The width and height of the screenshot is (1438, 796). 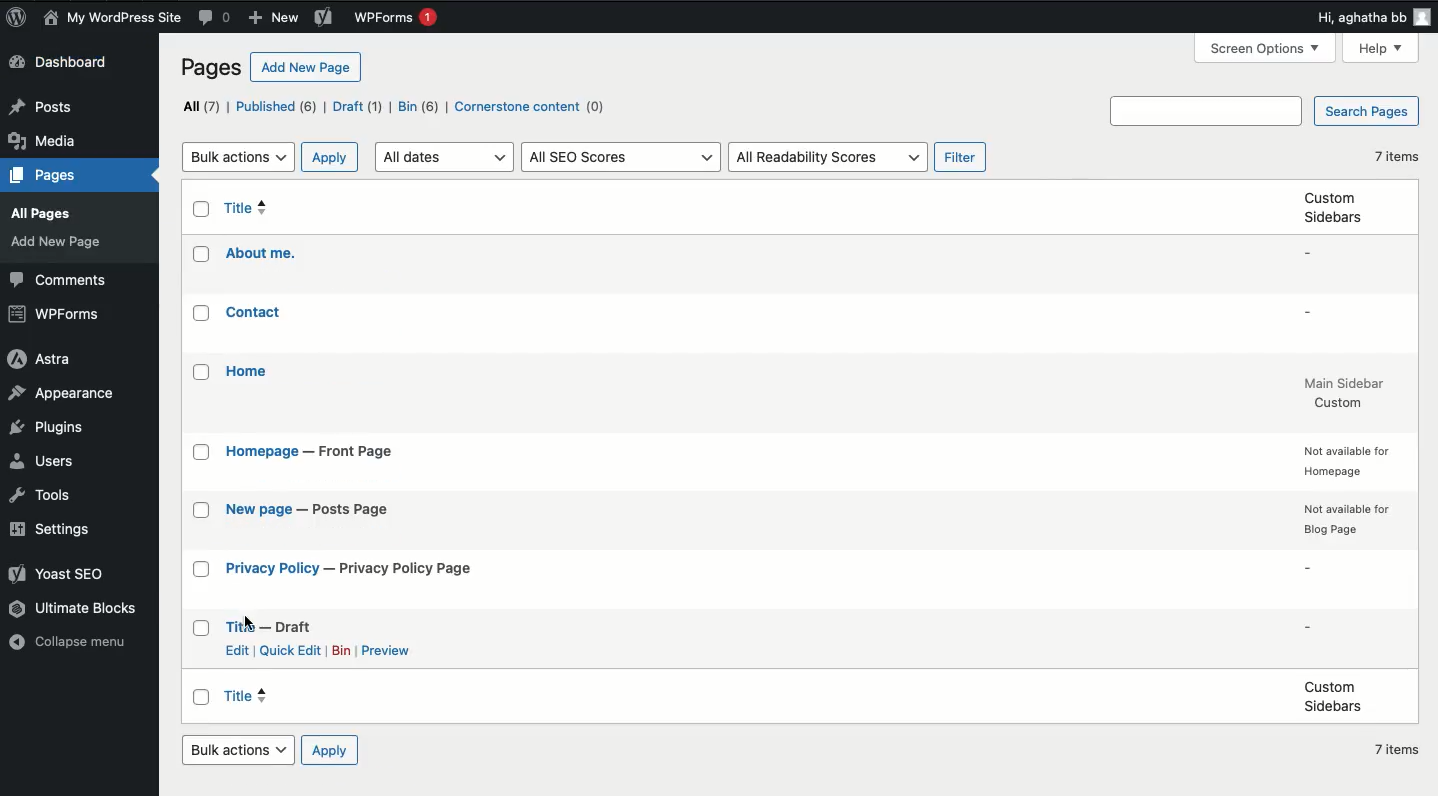 I want to click on Appearance, so click(x=61, y=394).